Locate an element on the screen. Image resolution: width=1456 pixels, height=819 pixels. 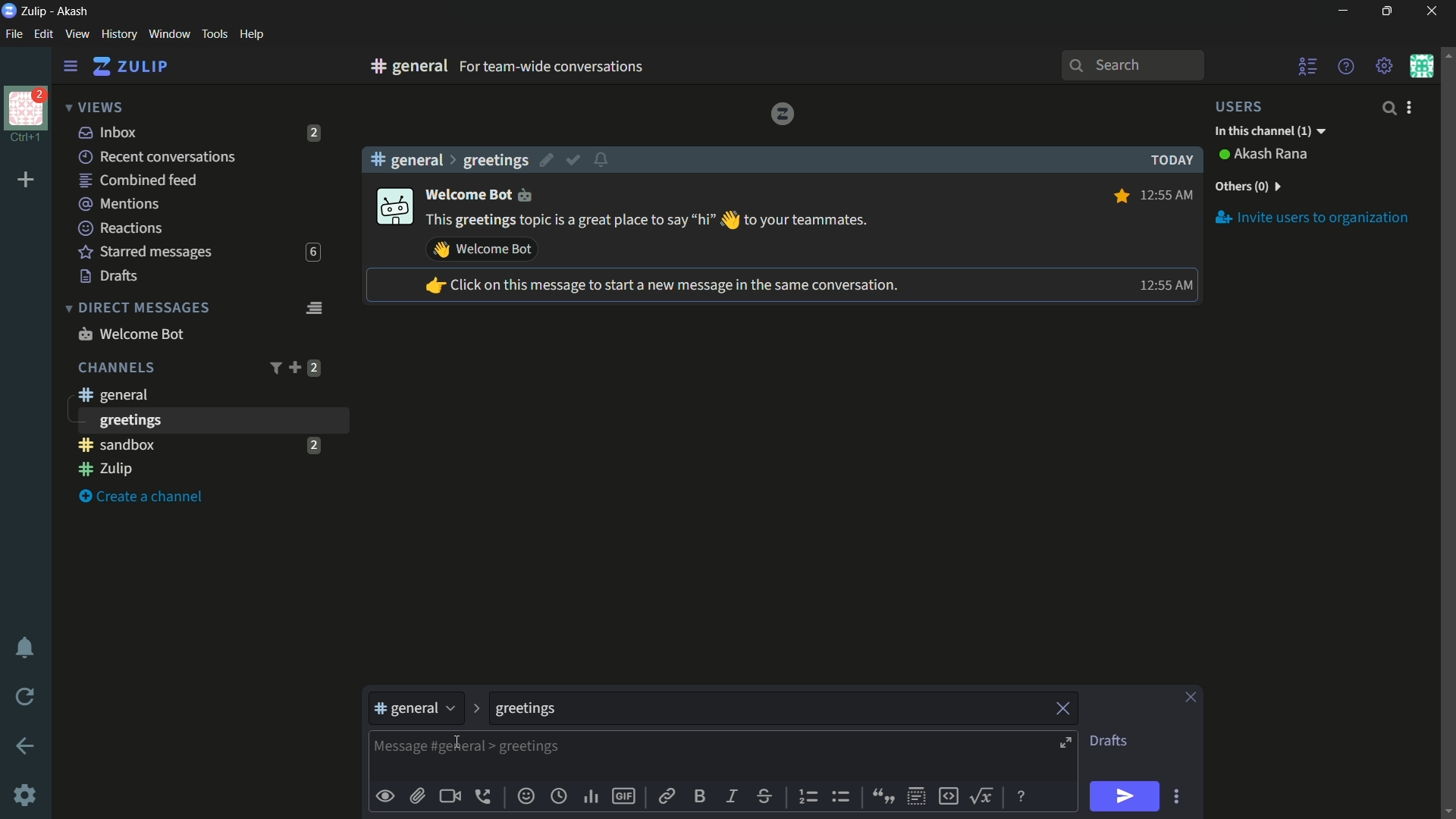
search is located at coordinates (1388, 108).